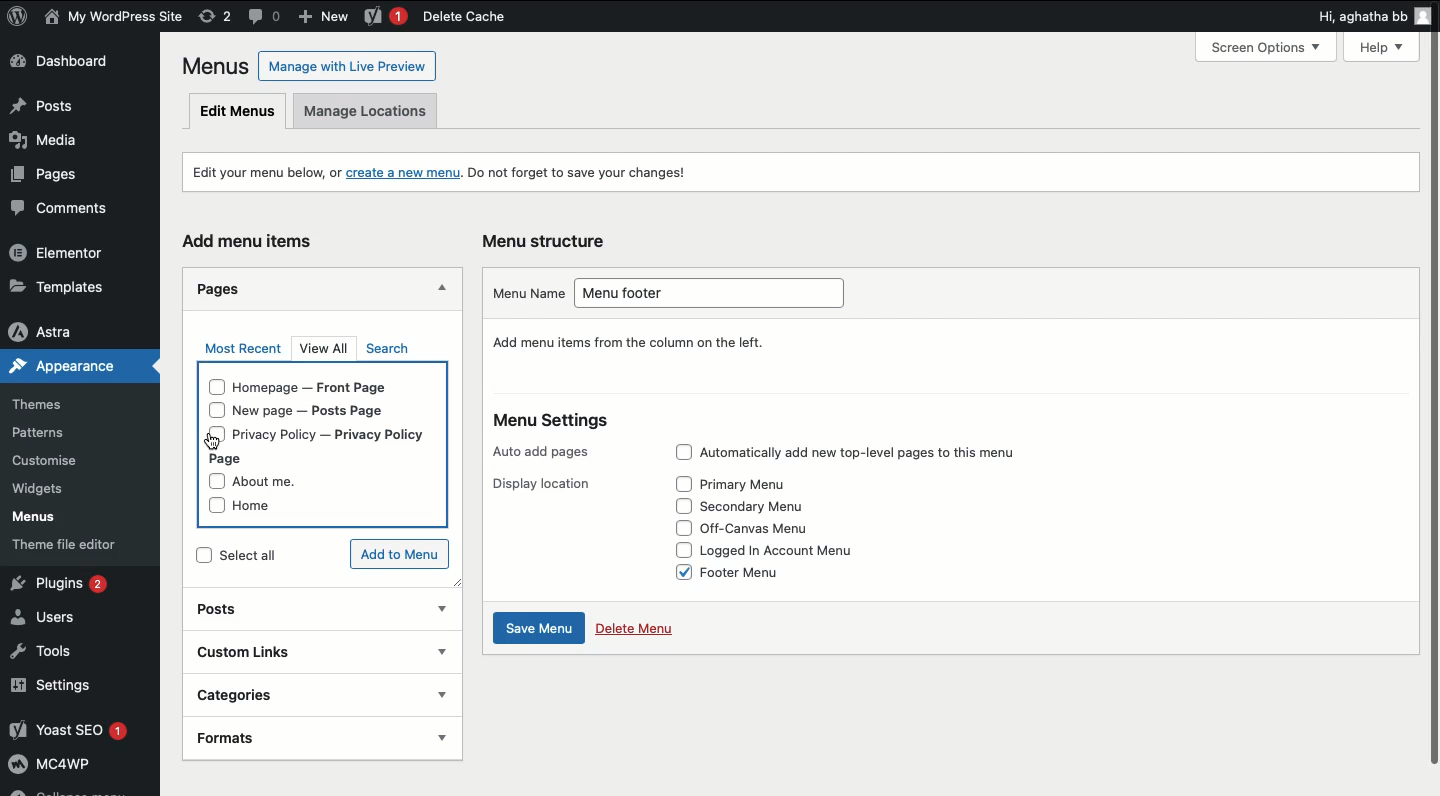  What do you see at coordinates (50, 652) in the screenshot?
I see `Tools` at bounding box center [50, 652].